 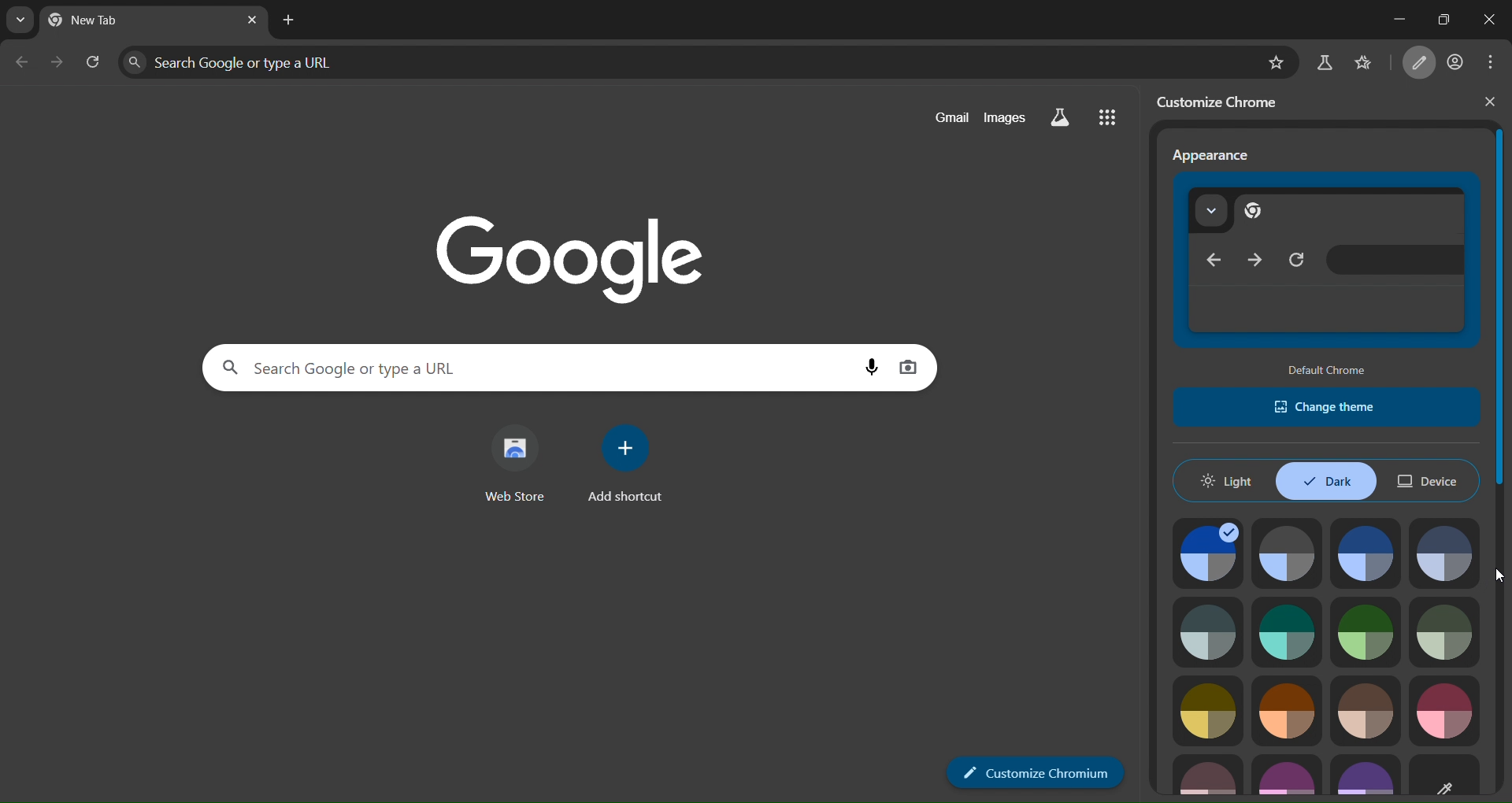 I want to click on voice search, so click(x=864, y=364).